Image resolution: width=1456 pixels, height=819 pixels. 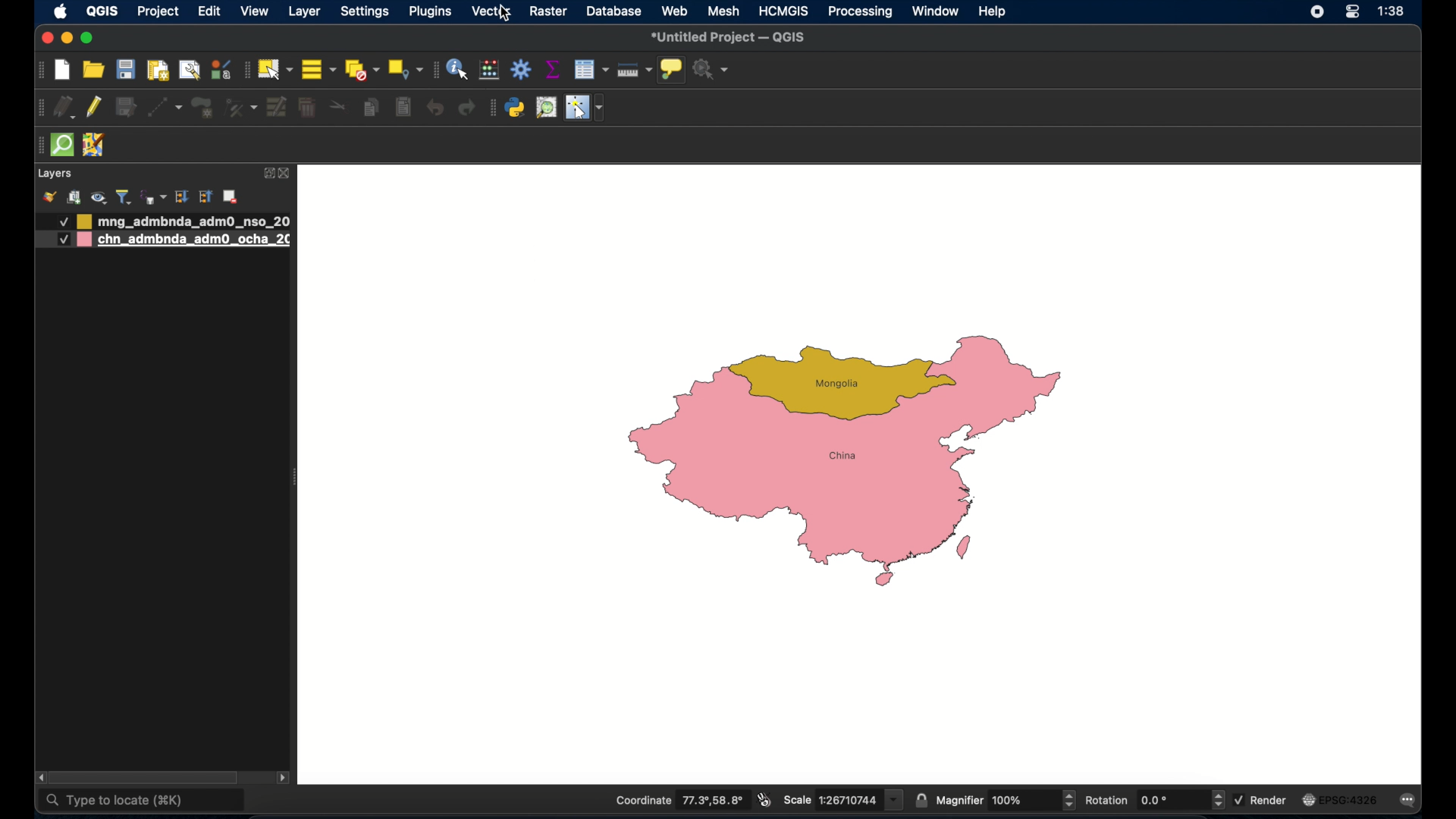 What do you see at coordinates (62, 240) in the screenshot?
I see `` at bounding box center [62, 240].